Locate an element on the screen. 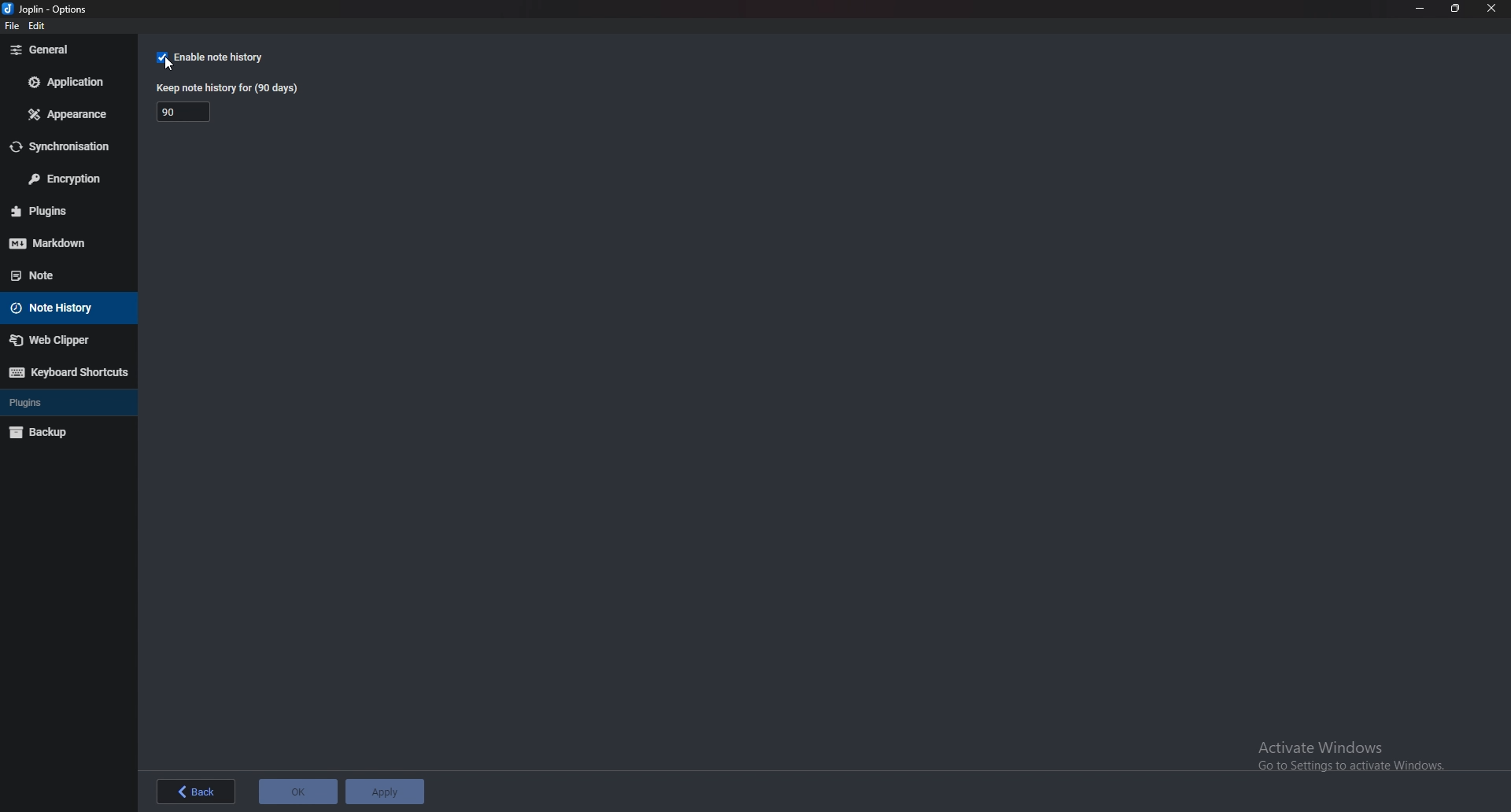 This screenshot has width=1511, height=812. Activate Windows Go to Settings to activate Windows is located at coordinates (1353, 758).